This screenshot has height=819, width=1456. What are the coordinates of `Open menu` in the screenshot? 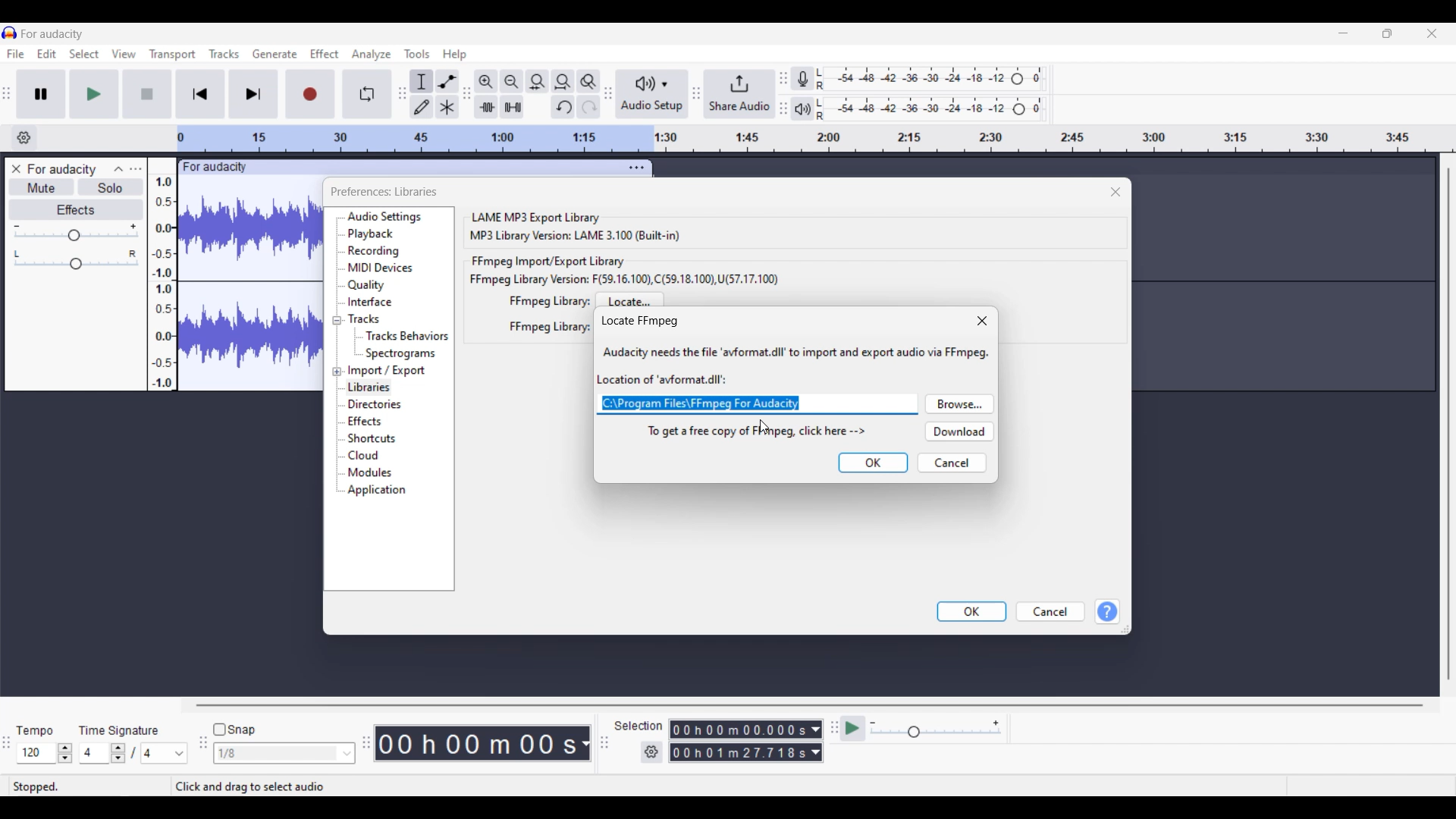 It's located at (136, 168).